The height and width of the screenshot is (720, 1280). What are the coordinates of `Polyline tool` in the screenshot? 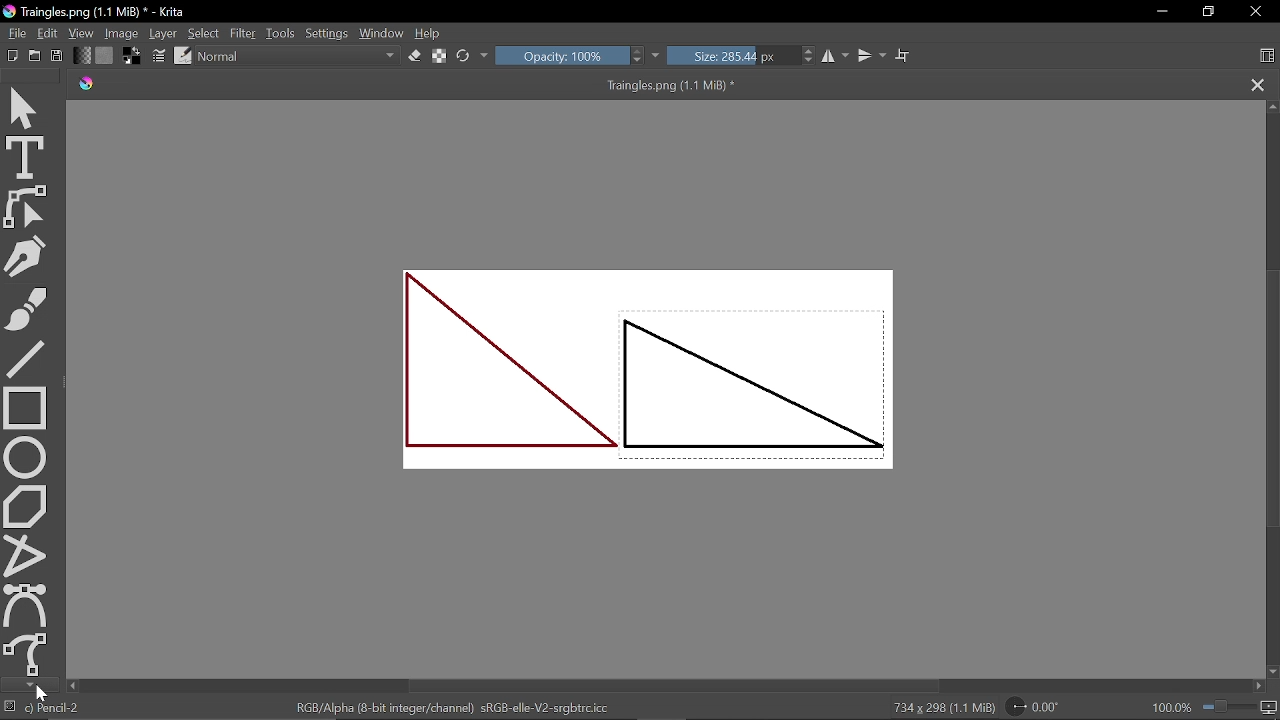 It's located at (26, 555).